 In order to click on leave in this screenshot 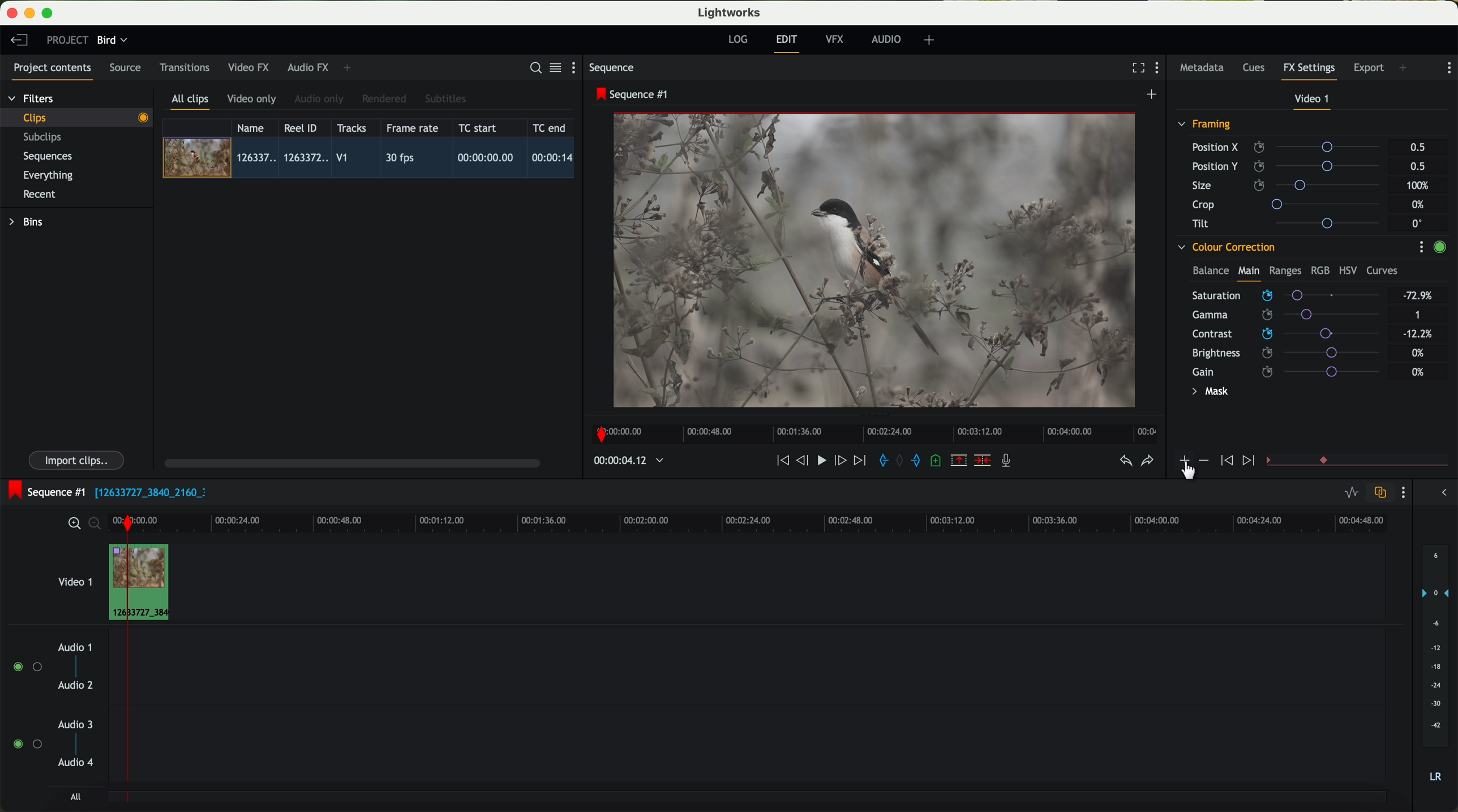, I will do `click(19, 41)`.